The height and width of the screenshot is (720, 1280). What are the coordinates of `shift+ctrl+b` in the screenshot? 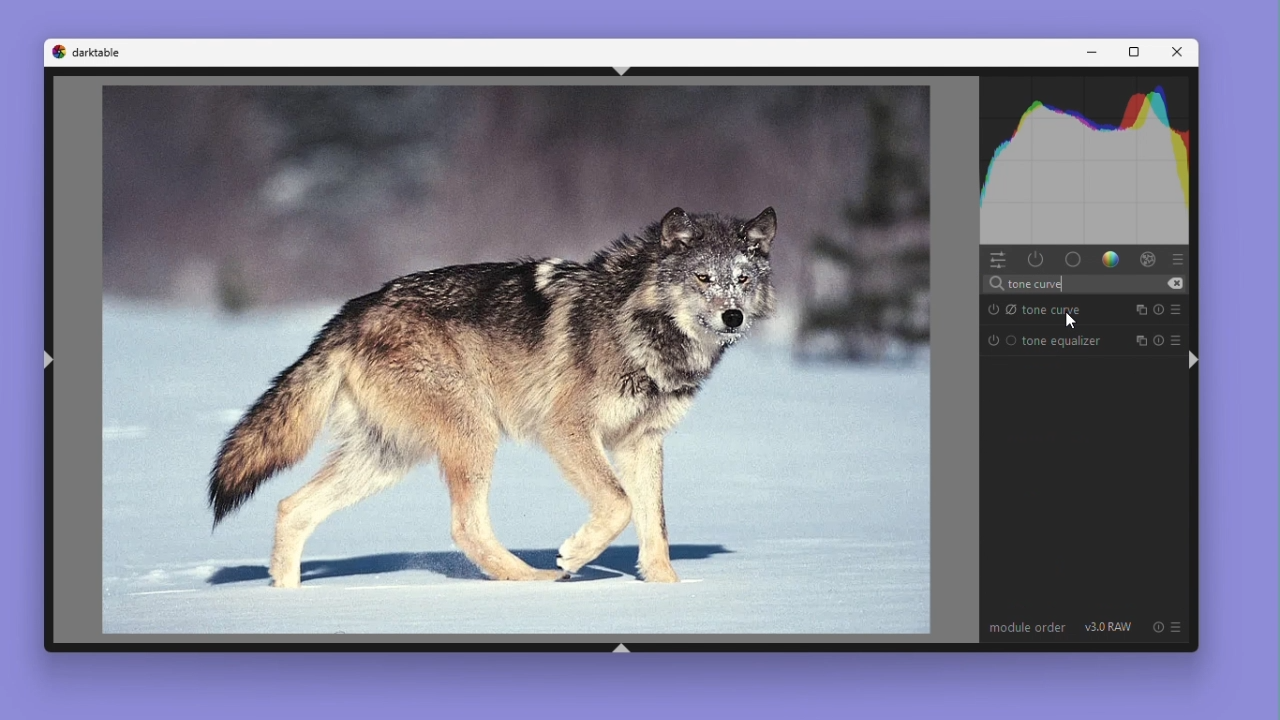 It's located at (625, 646).